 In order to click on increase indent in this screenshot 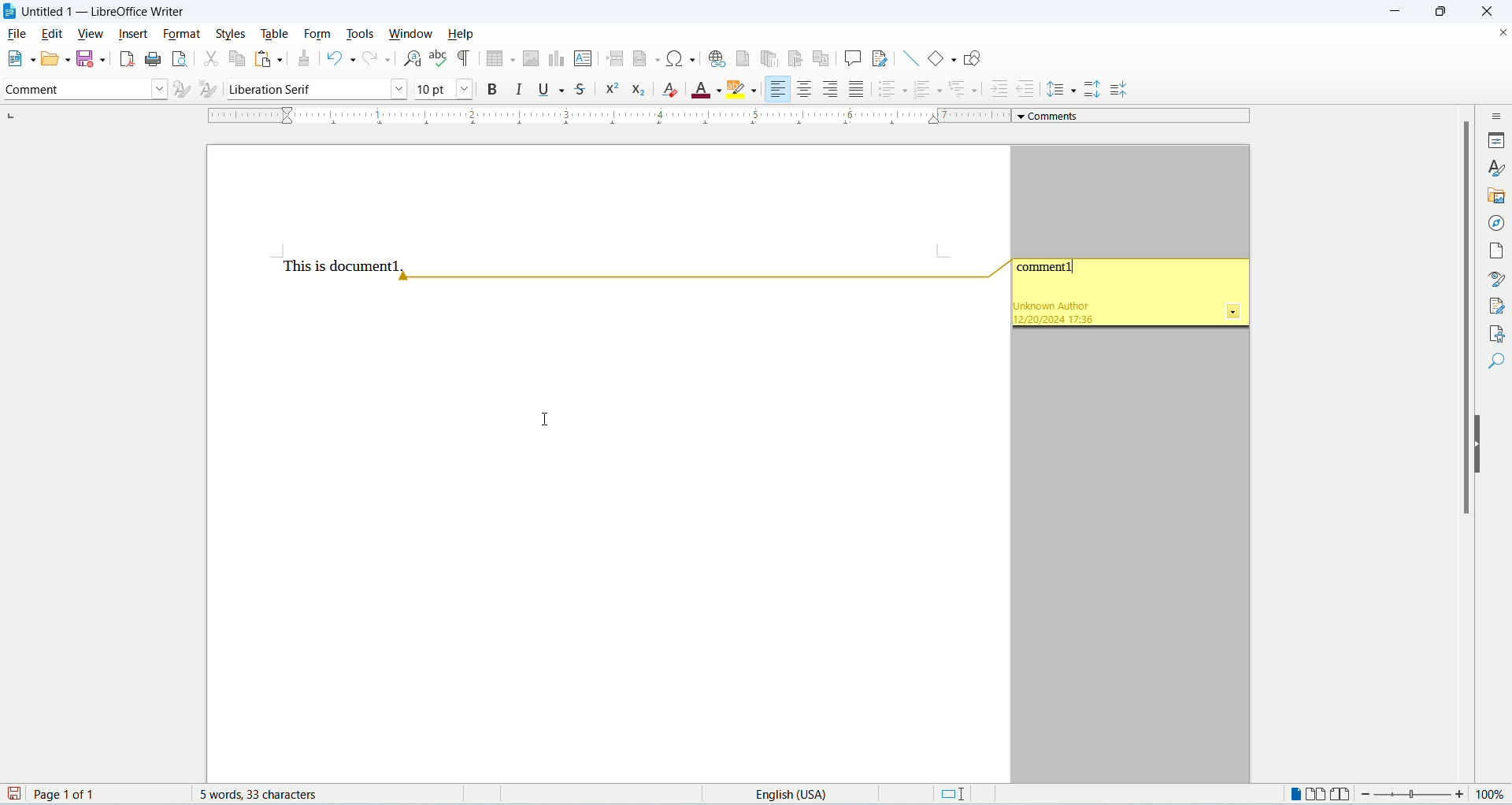, I will do `click(998, 91)`.